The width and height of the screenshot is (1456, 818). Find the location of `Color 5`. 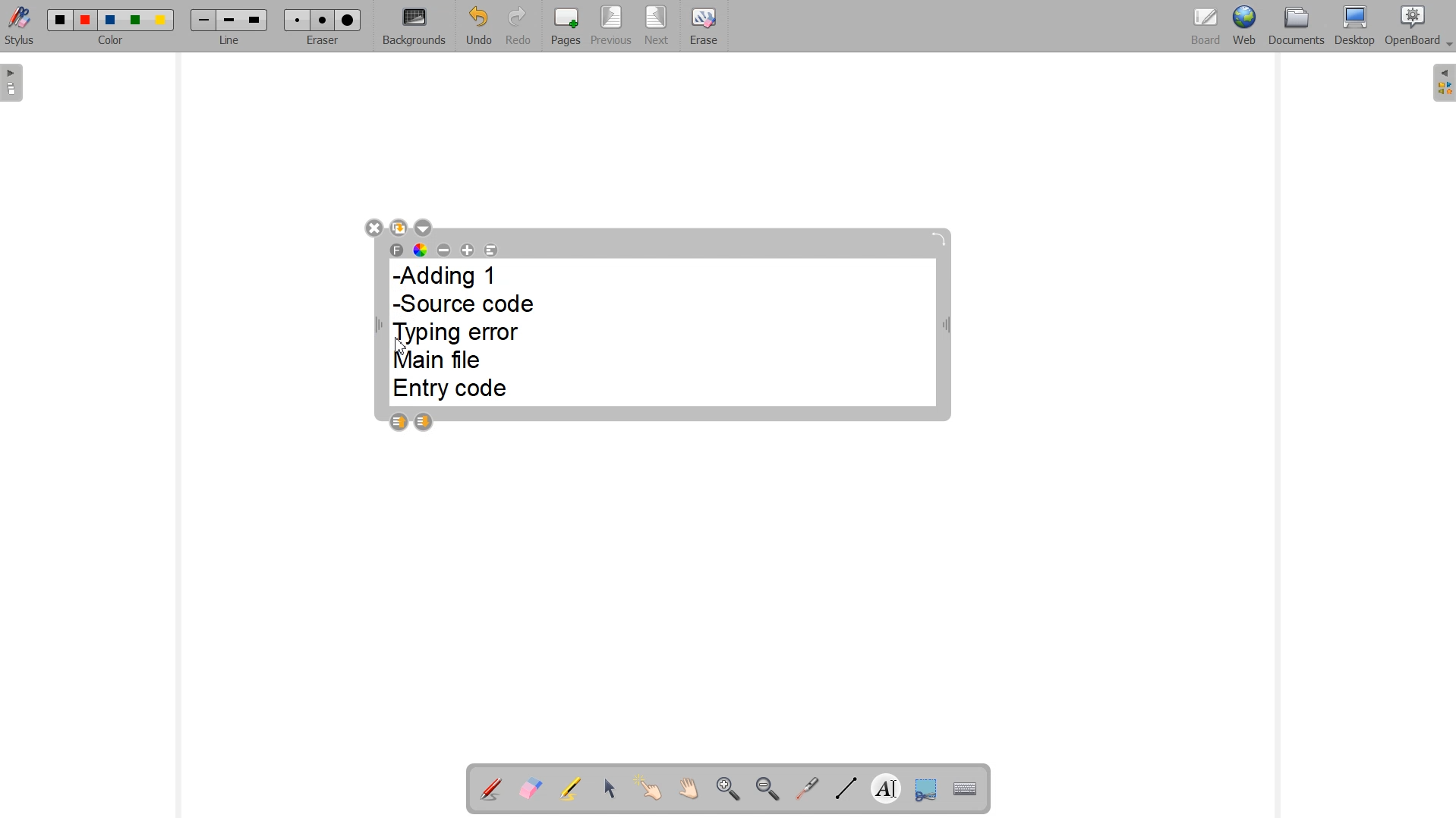

Color 5 is located at coordinates (162, 20).